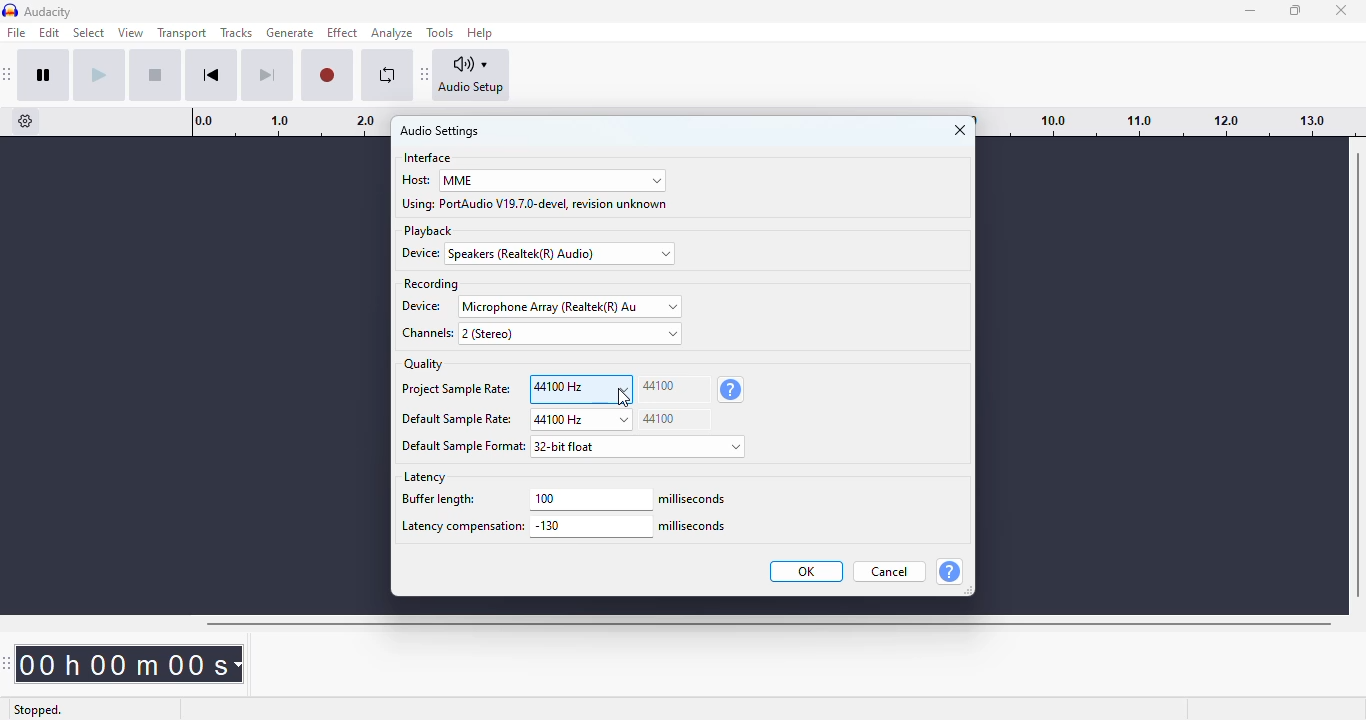  I want to click on audacity transport toolbar, so click(8, 74).